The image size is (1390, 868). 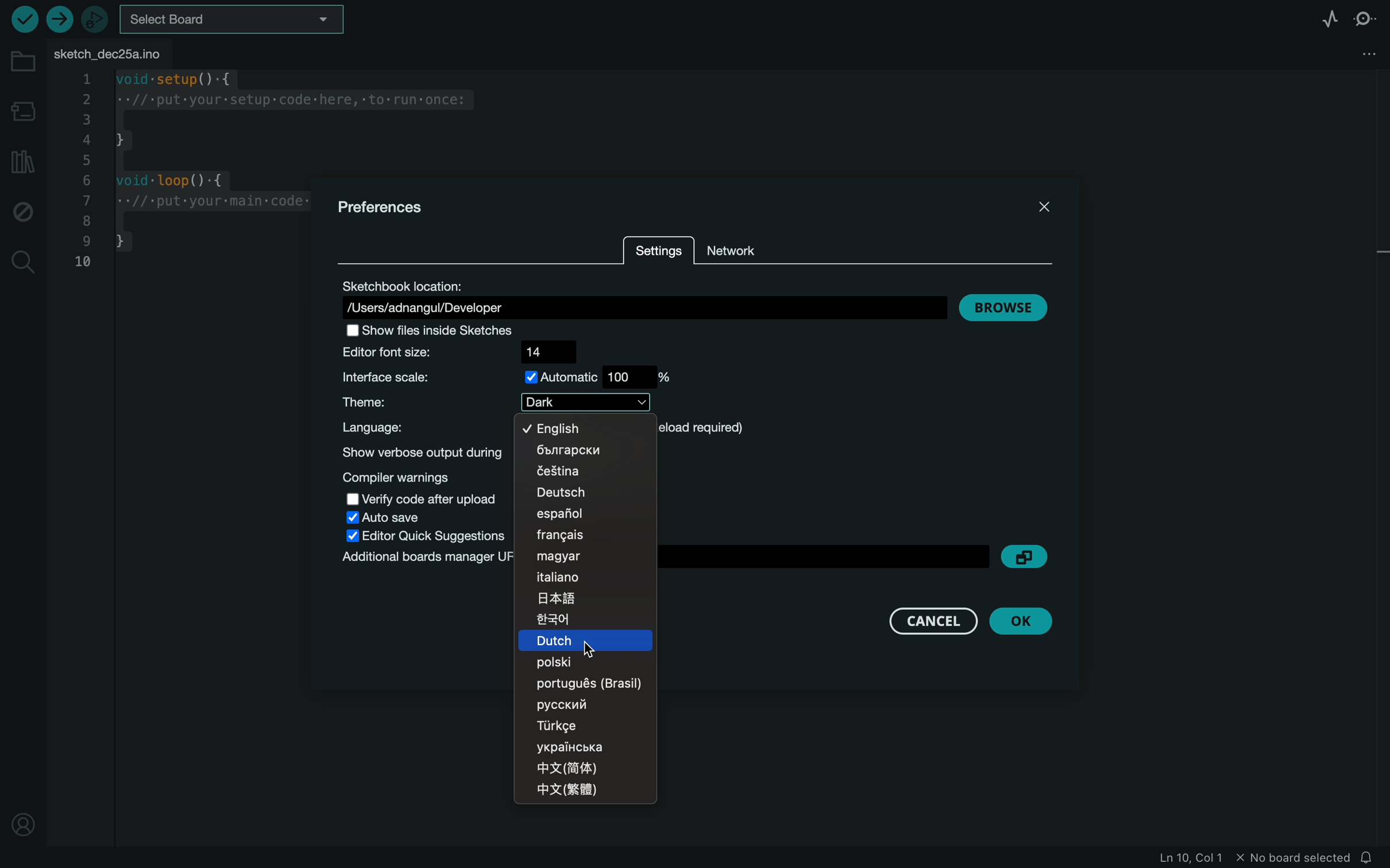 What do you see at coordinates (188, 174) in the screenshot?
I see `code` at bounding box center [188, 174].